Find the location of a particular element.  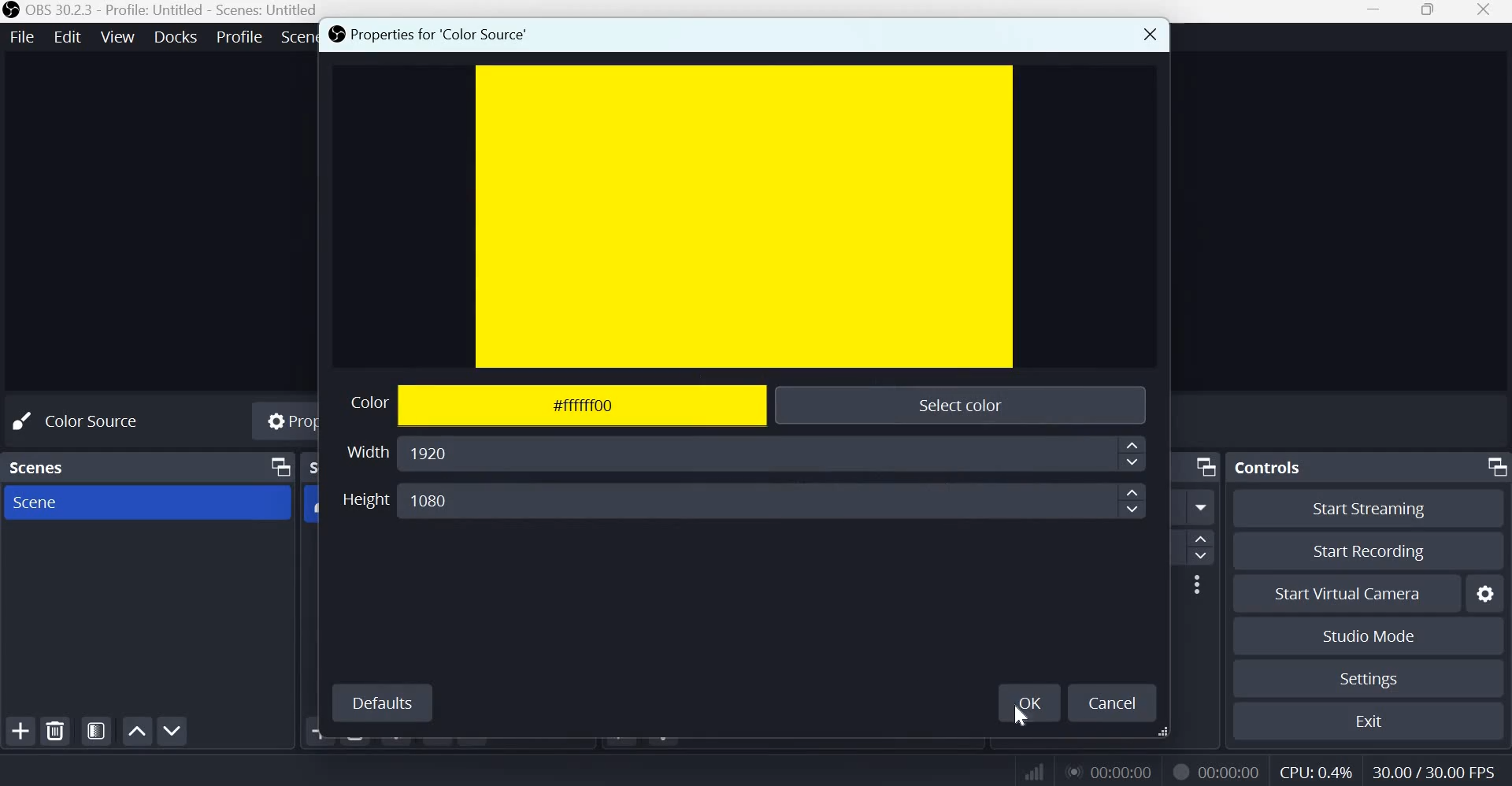

OBS studio logo is located at coordinates (11, 11).